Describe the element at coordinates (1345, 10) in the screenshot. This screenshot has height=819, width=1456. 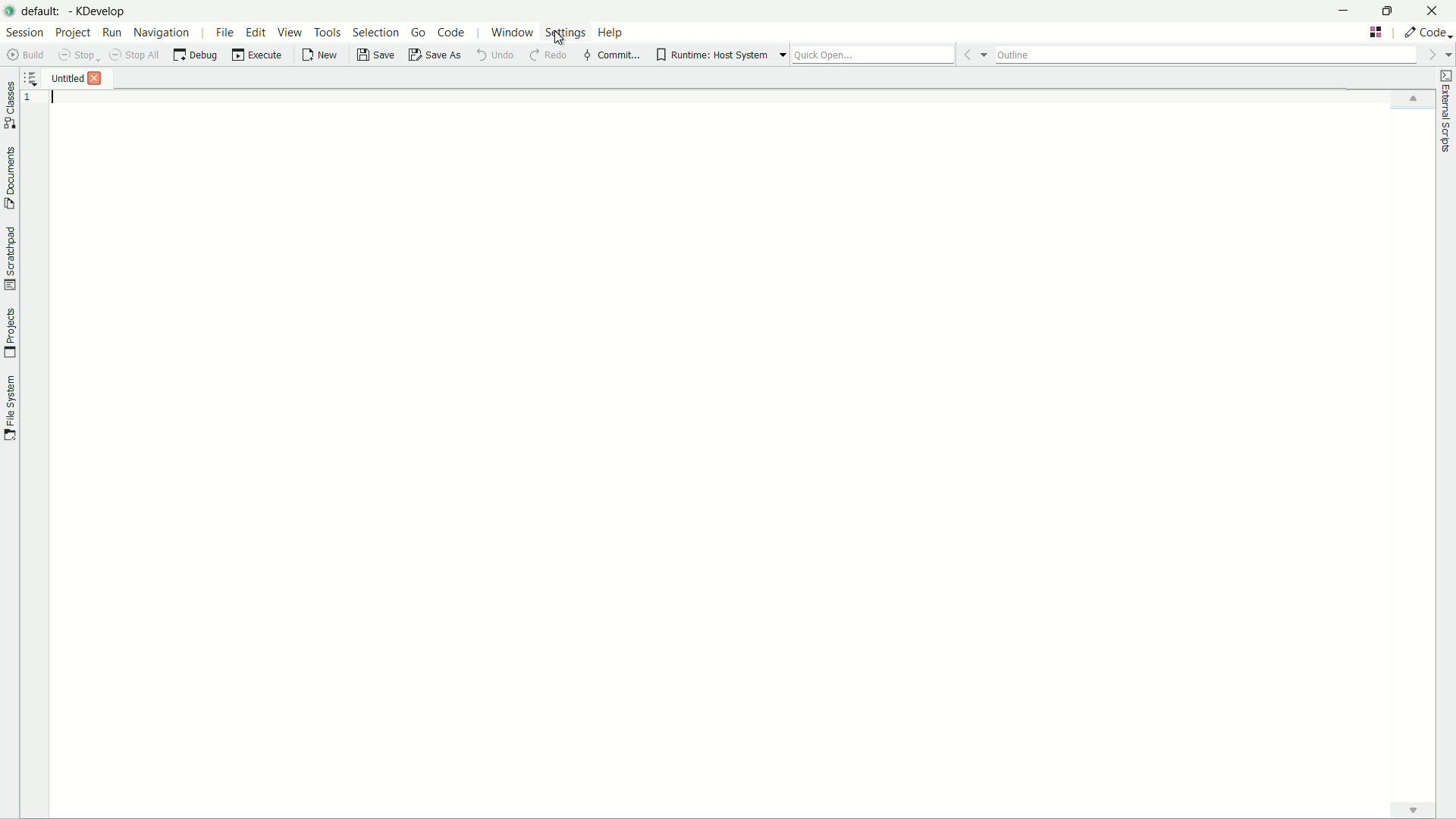
I see `minimize` at that location.